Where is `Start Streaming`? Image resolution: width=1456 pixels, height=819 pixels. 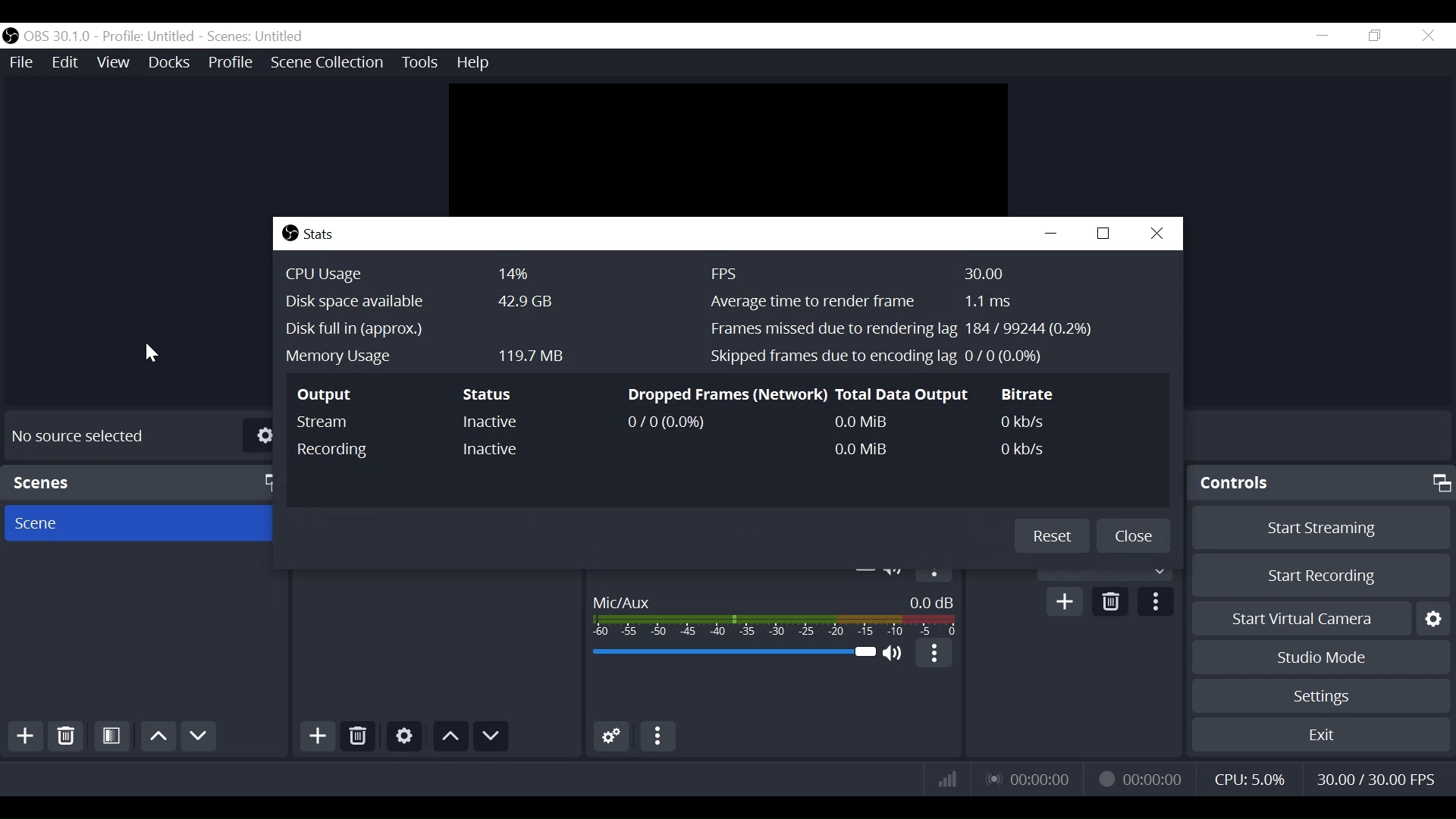
Start Streaming is located at coordinates (1322, 529).